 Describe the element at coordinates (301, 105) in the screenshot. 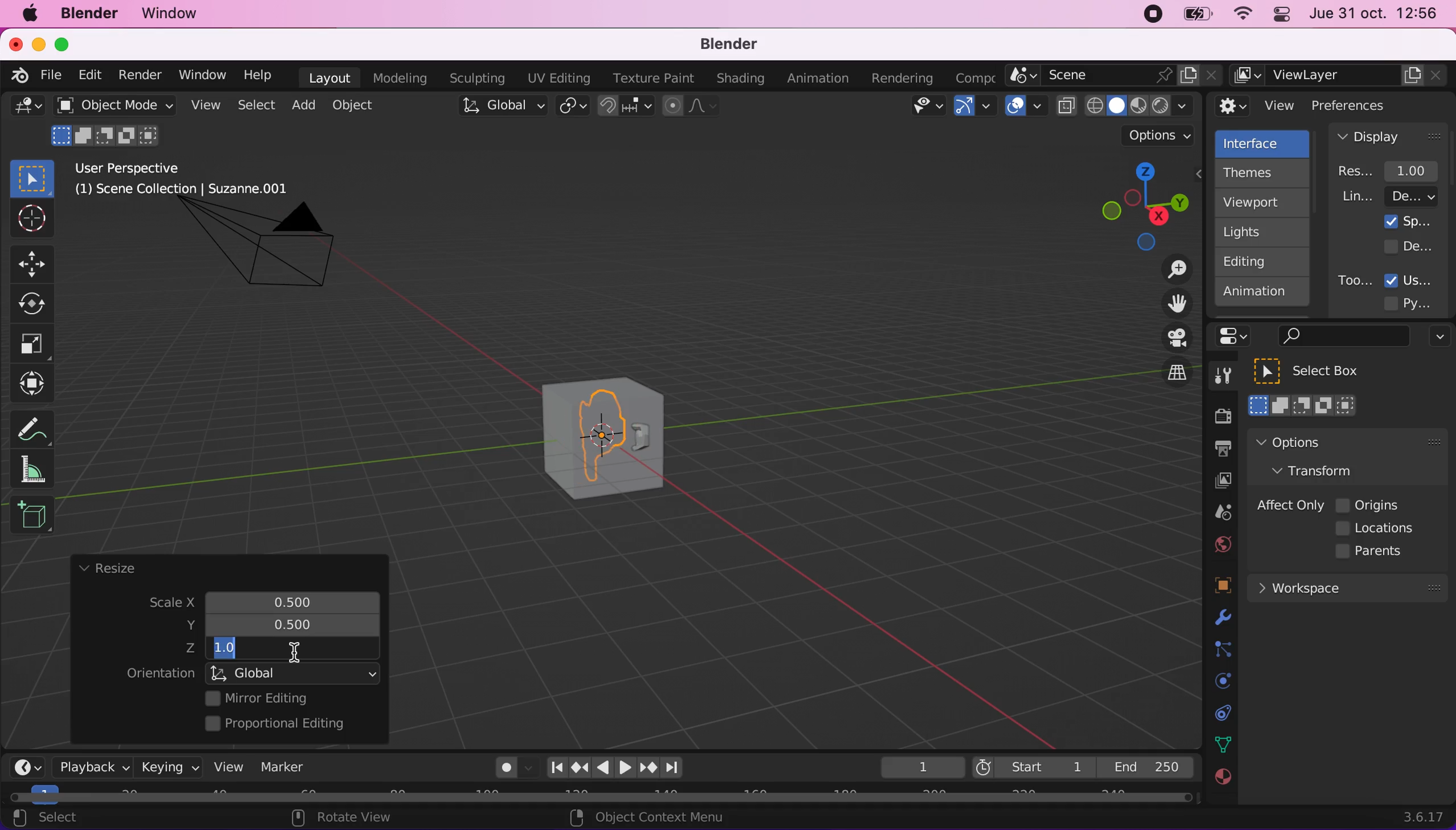

I see `add` at that location.